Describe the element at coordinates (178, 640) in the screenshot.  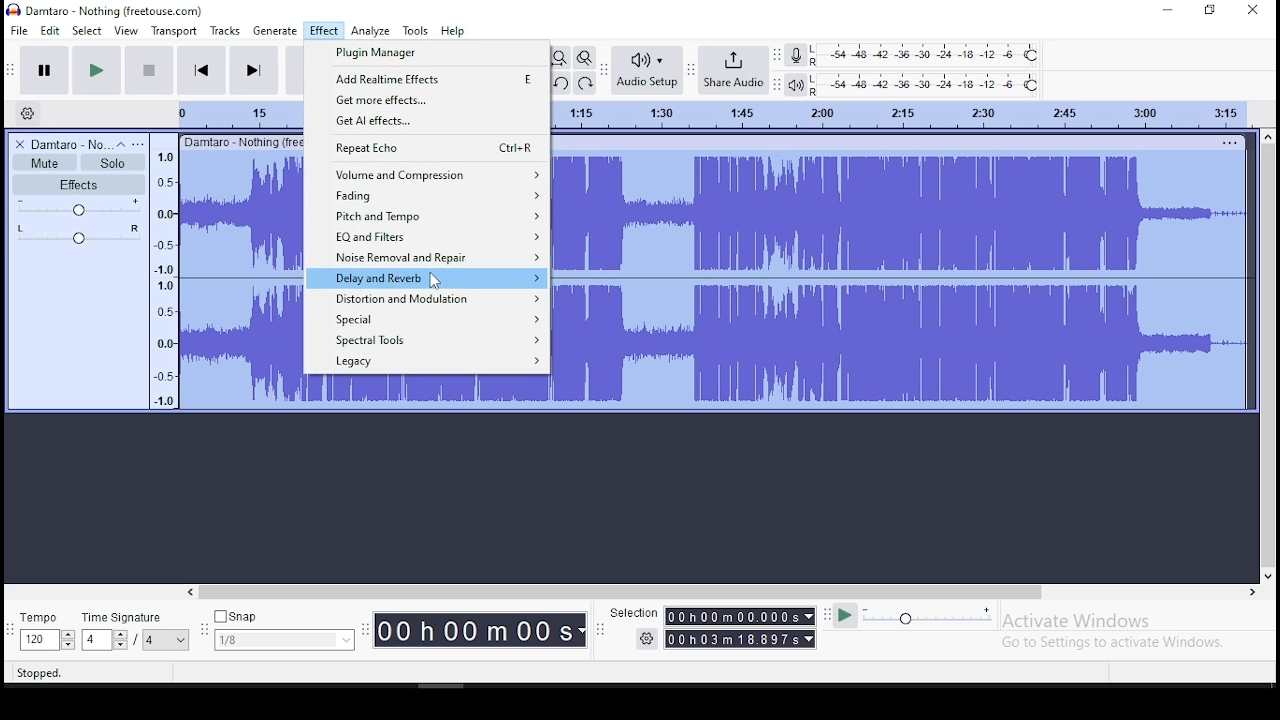
I see `Drop down` at that location.